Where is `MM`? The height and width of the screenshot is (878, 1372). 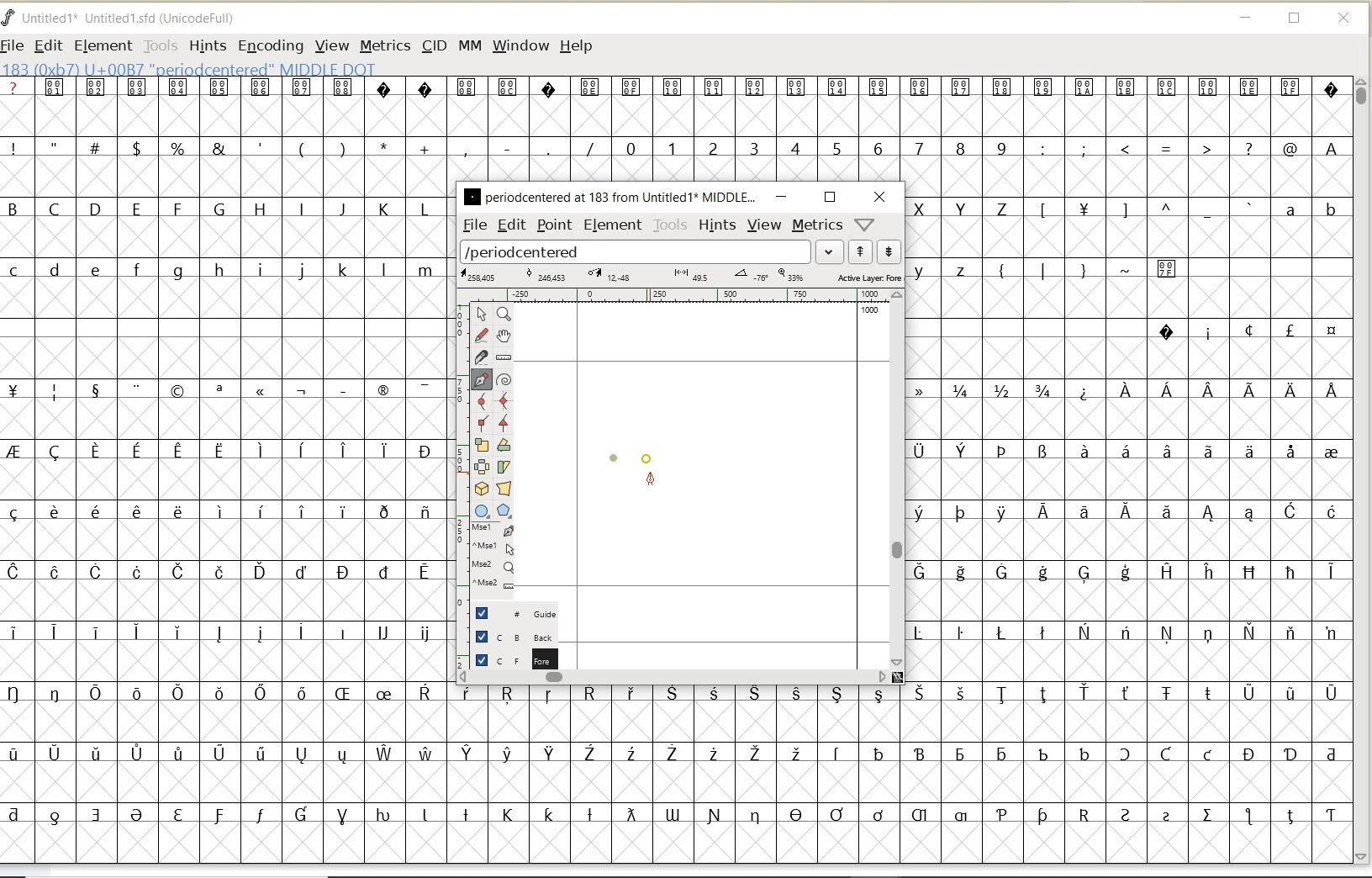
MM is located at coordinates (470, 46).